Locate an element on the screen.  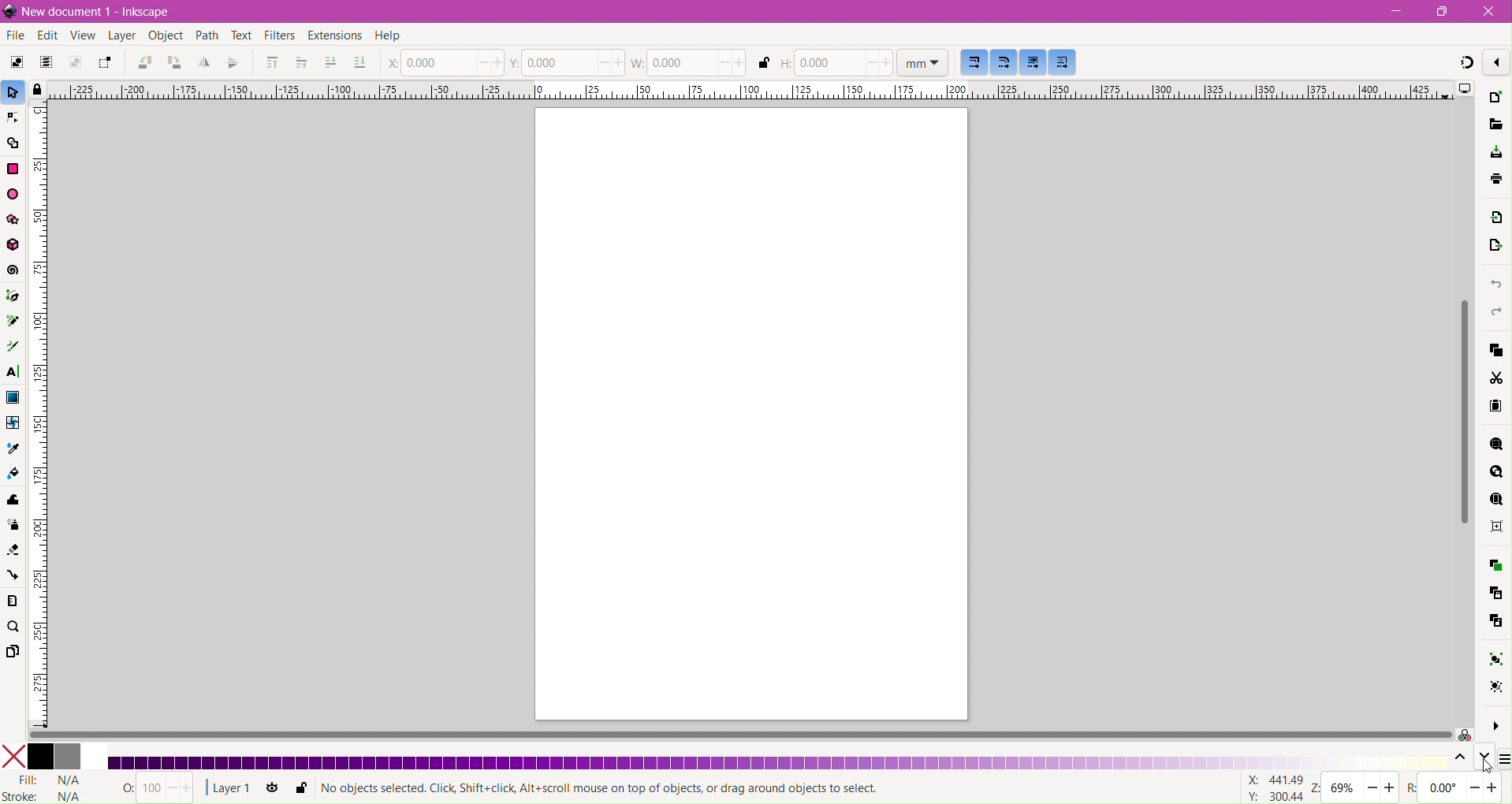
Node Tool is located at coordinates (13, 118).